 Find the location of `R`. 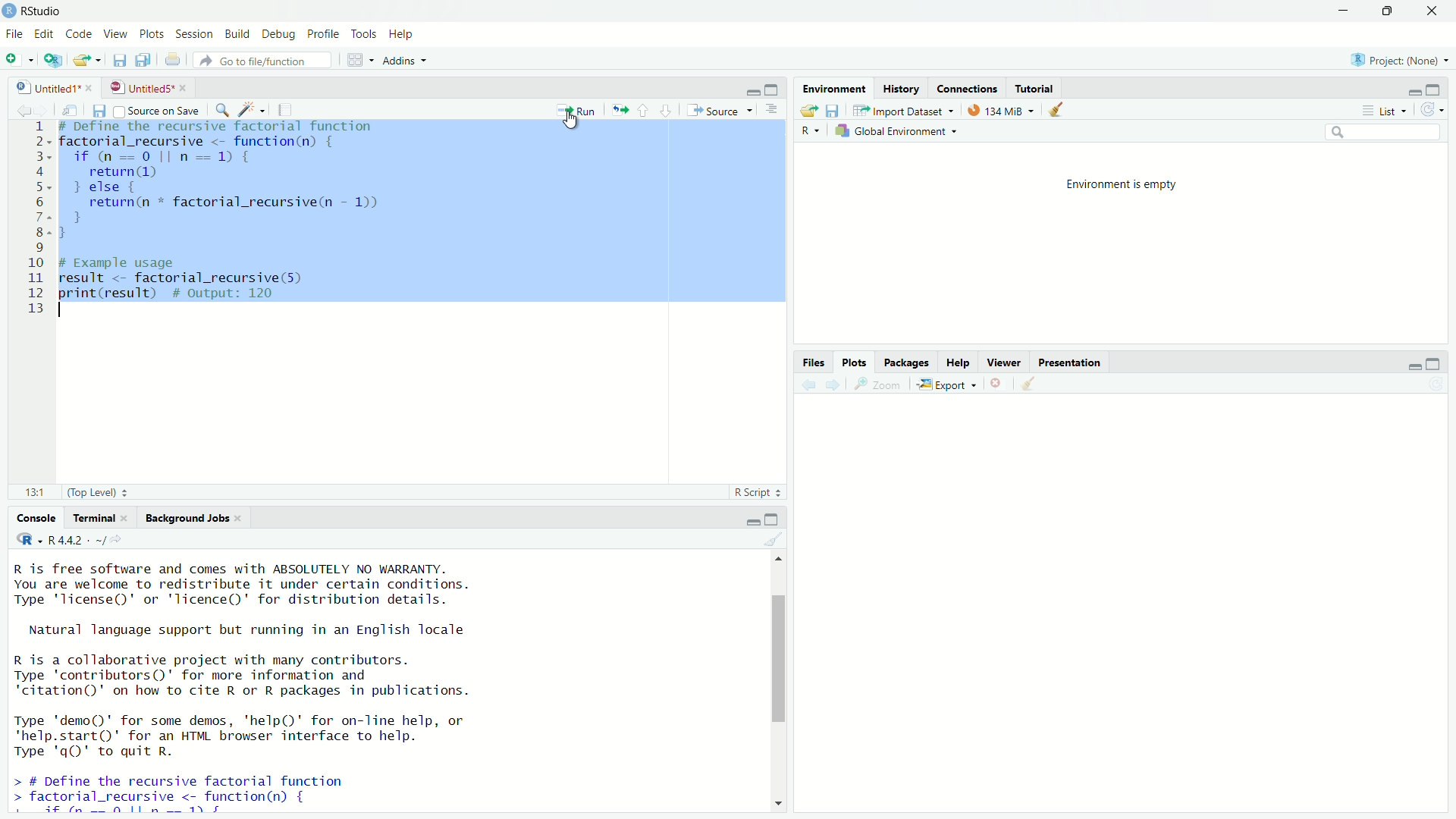

R is located at coordinates (27, 539).